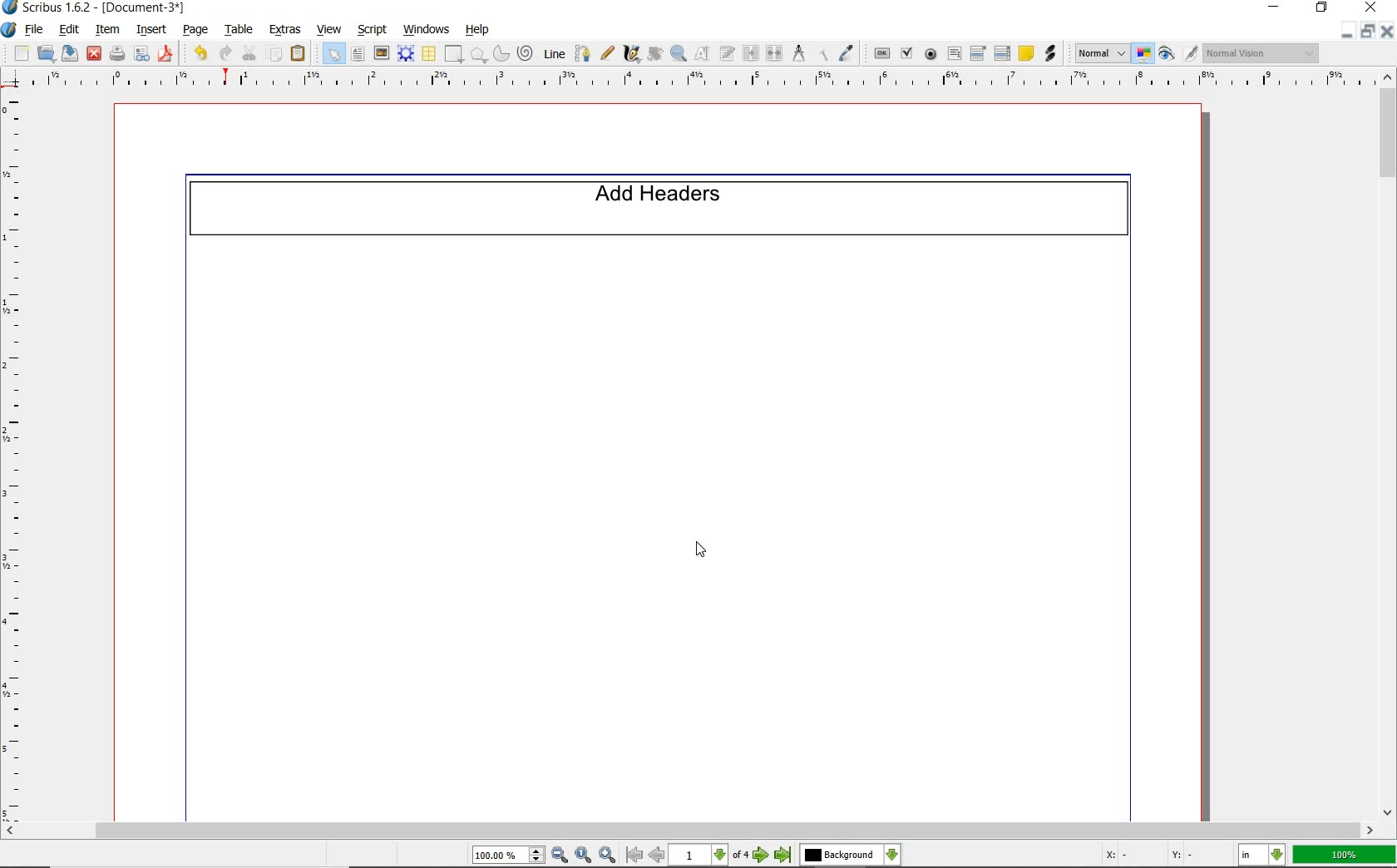 This screenshot has height=868, width=1397. Describe the element at coordinates (610, 855) in the screenshot. I see `zoom in` at that location.